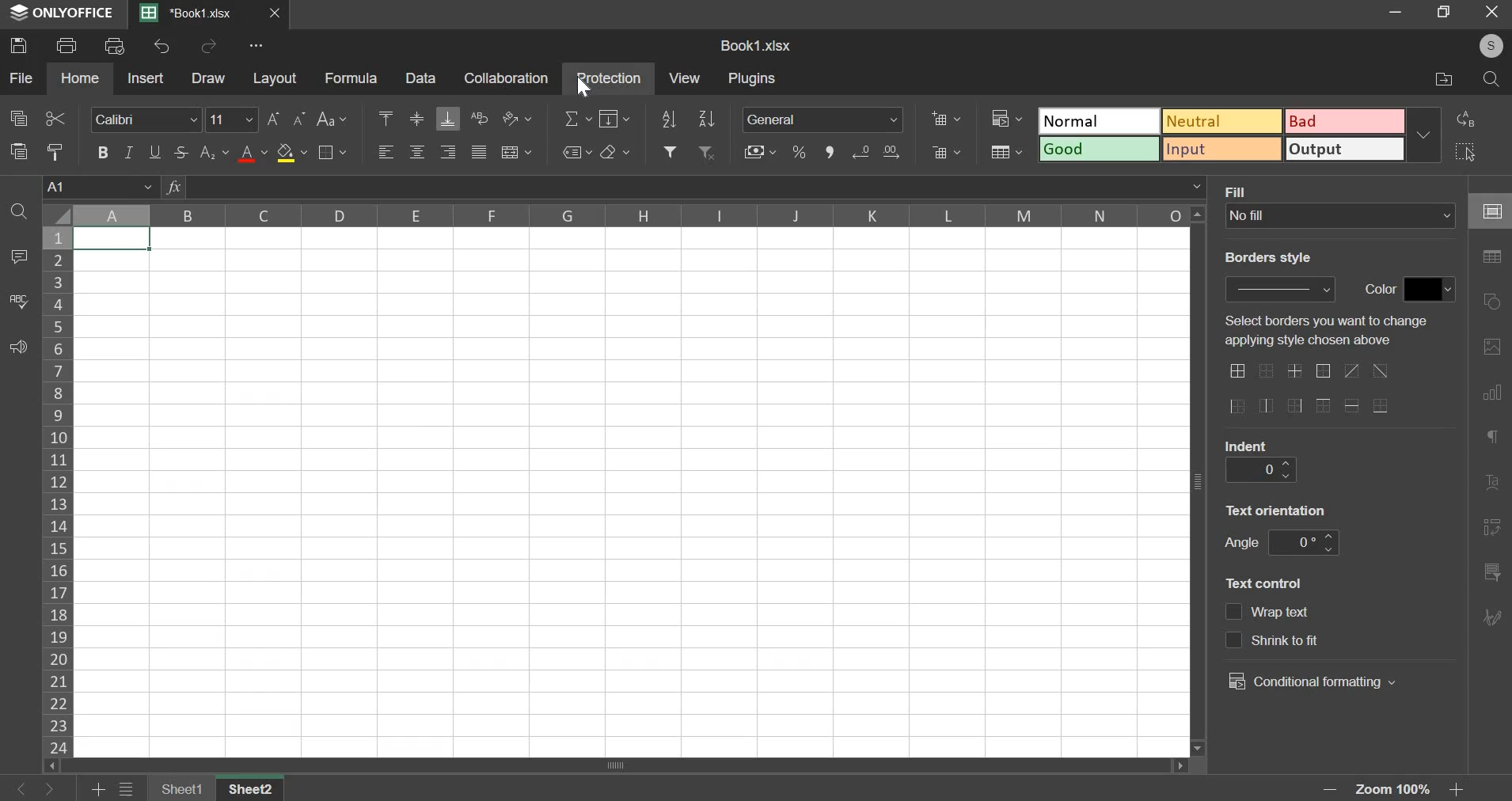 The height and width of the screenshot is (801, 1512). What do you see at coordinates (585, 89) in the screenshot?
I see `Cursor` at bounding box center [585, 89].